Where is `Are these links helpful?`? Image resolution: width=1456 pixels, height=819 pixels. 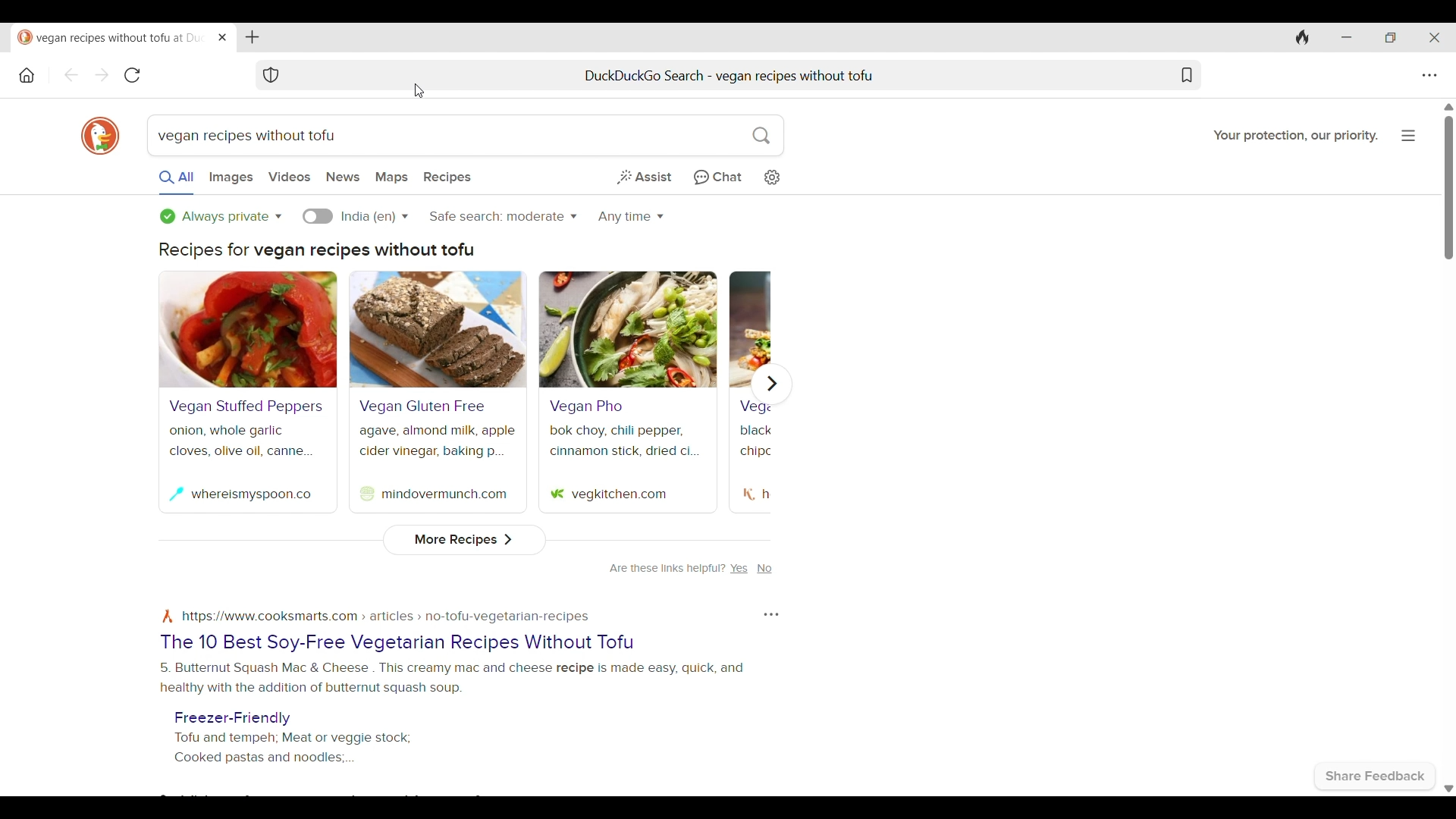 Are these links helpful? is located at coordinates (667, 569).